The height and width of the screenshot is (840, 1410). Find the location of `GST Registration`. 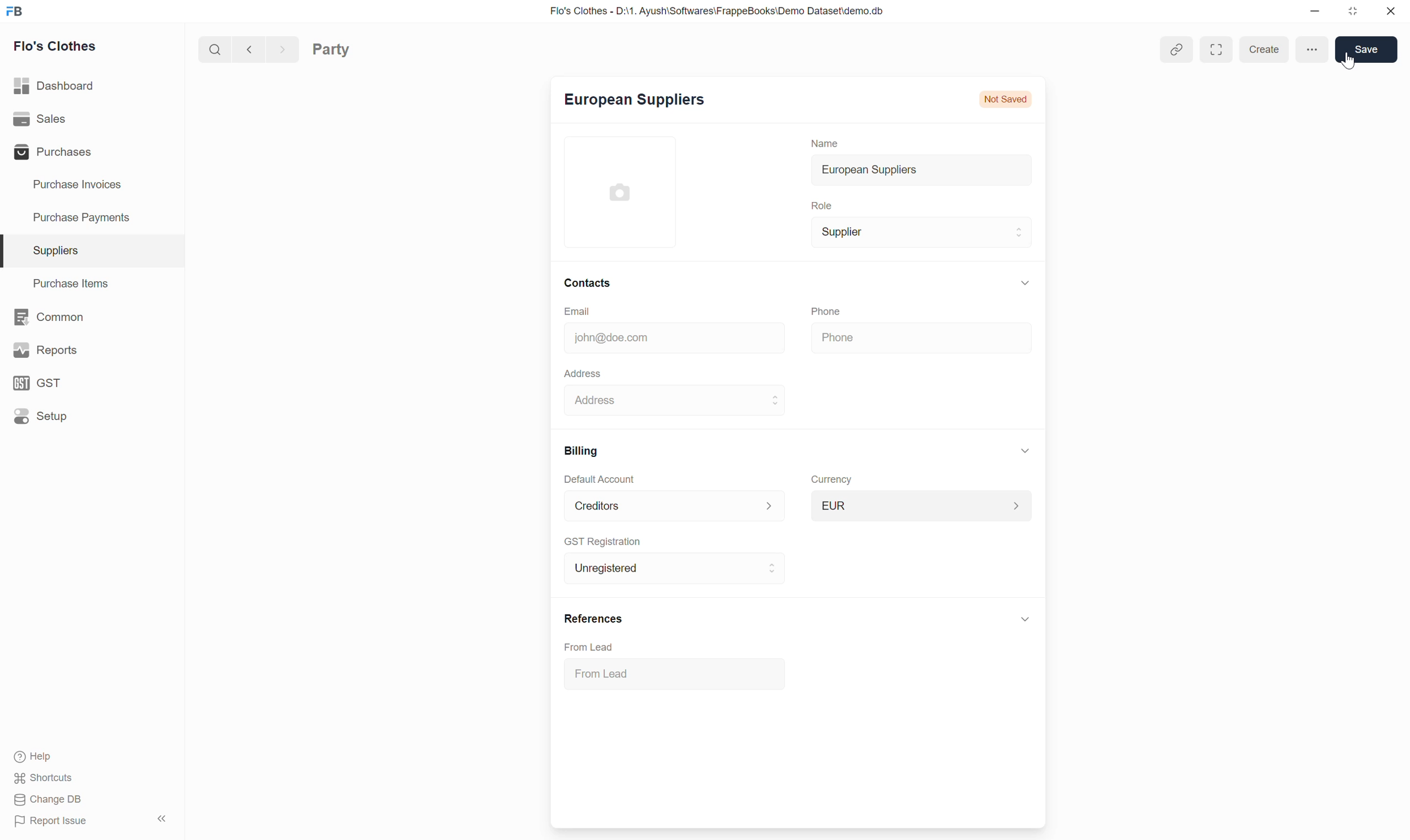

GST Registration is located at coordinates (609, 541).